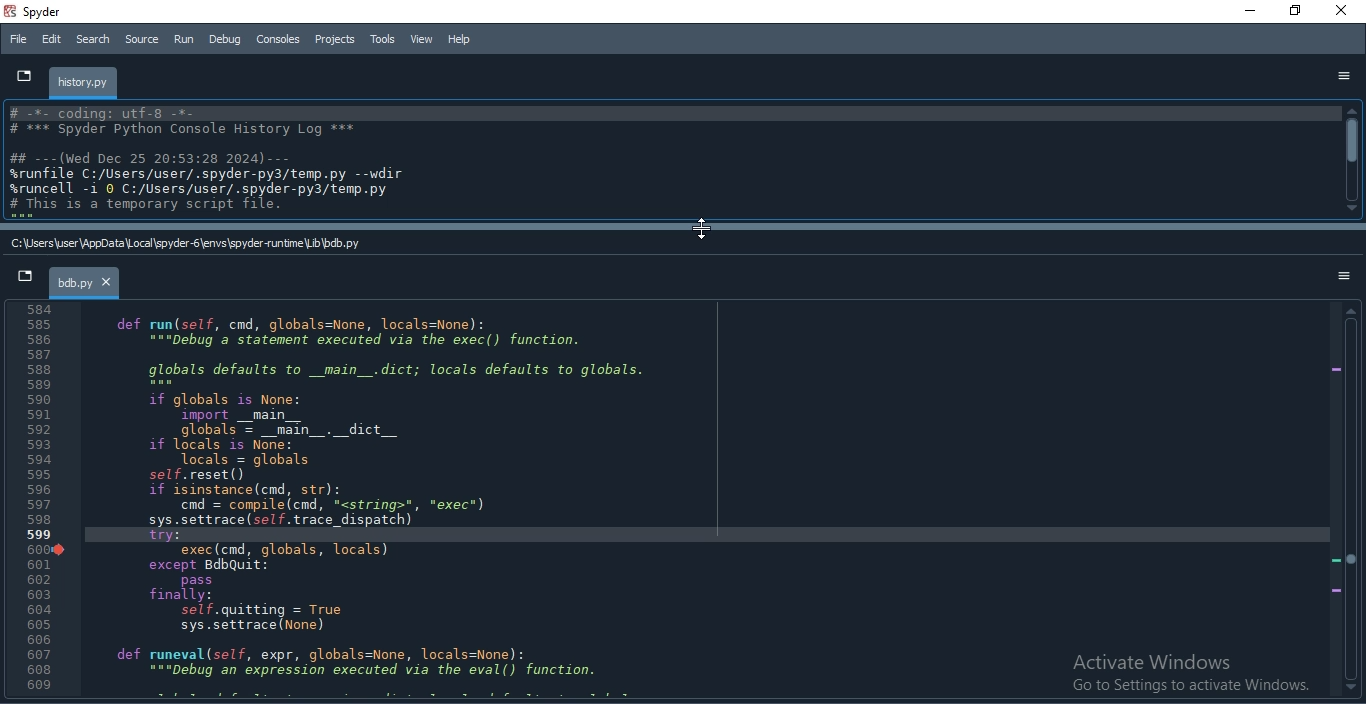 The image size is (1366, 704). Describe the element at coordinates (26, 280) in the screenshot. I see `dropdown` at that location.